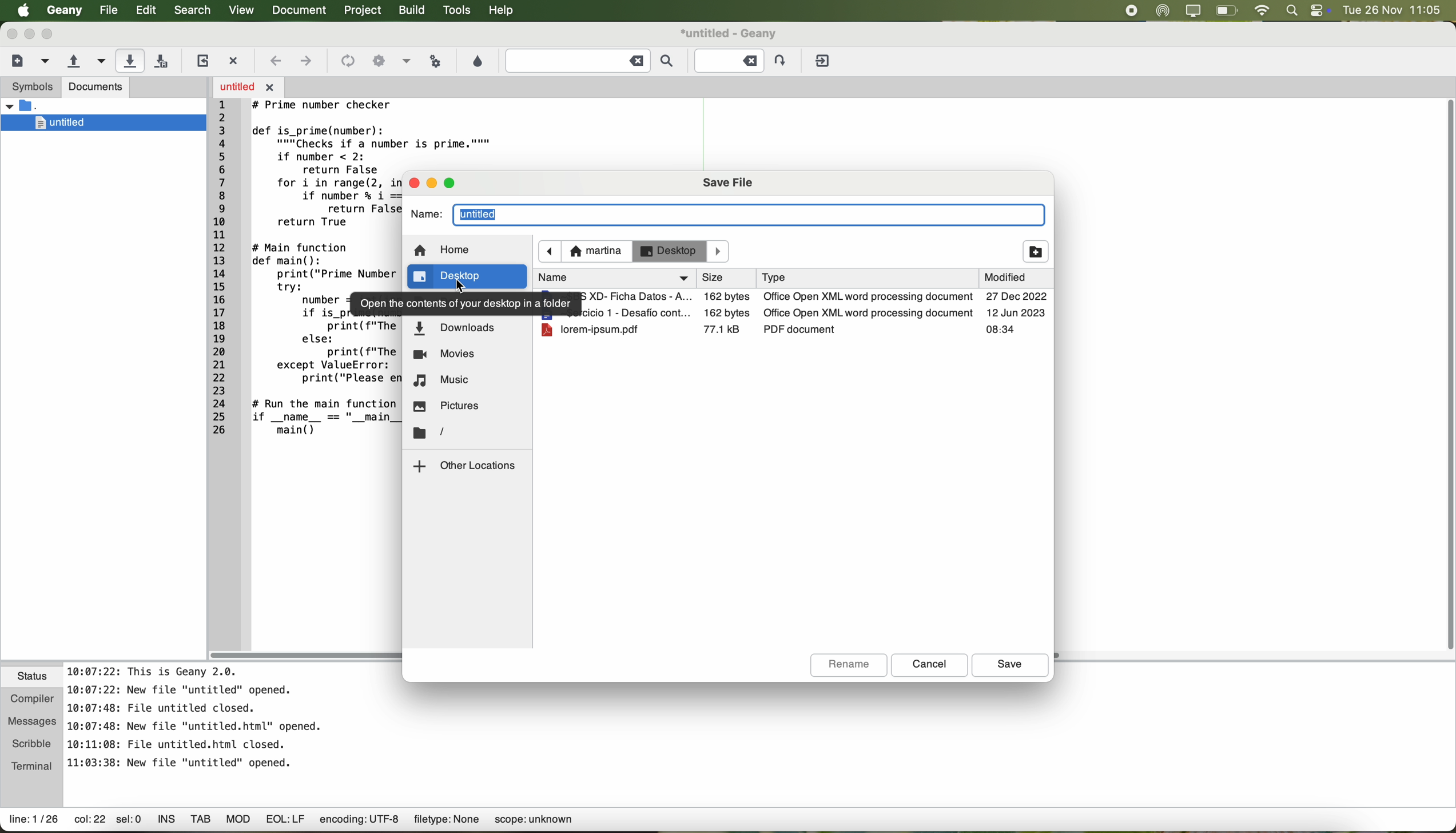  I want to click on minimize pop-up, so click(433, 183).